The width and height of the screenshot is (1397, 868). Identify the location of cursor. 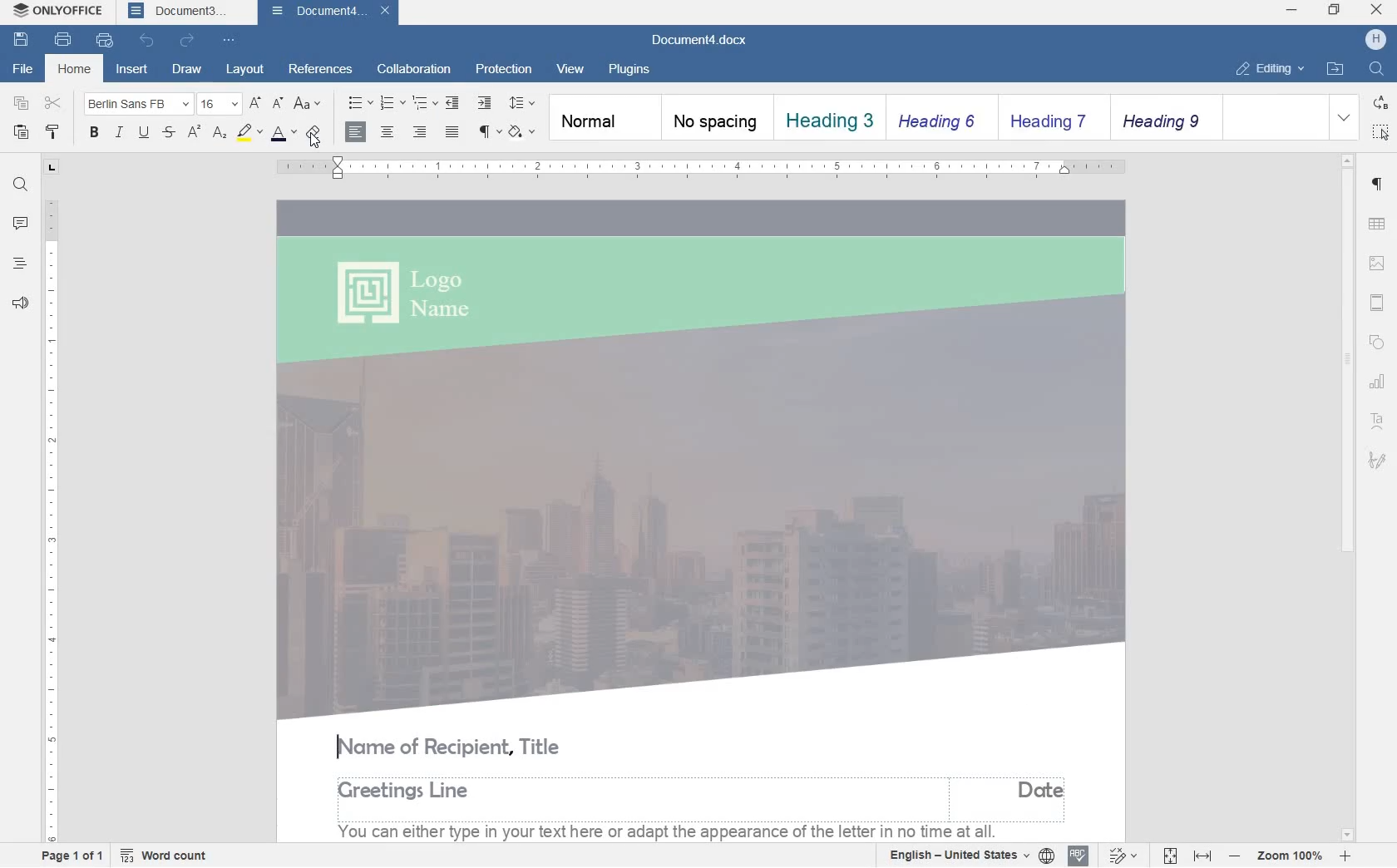
(314, 141).